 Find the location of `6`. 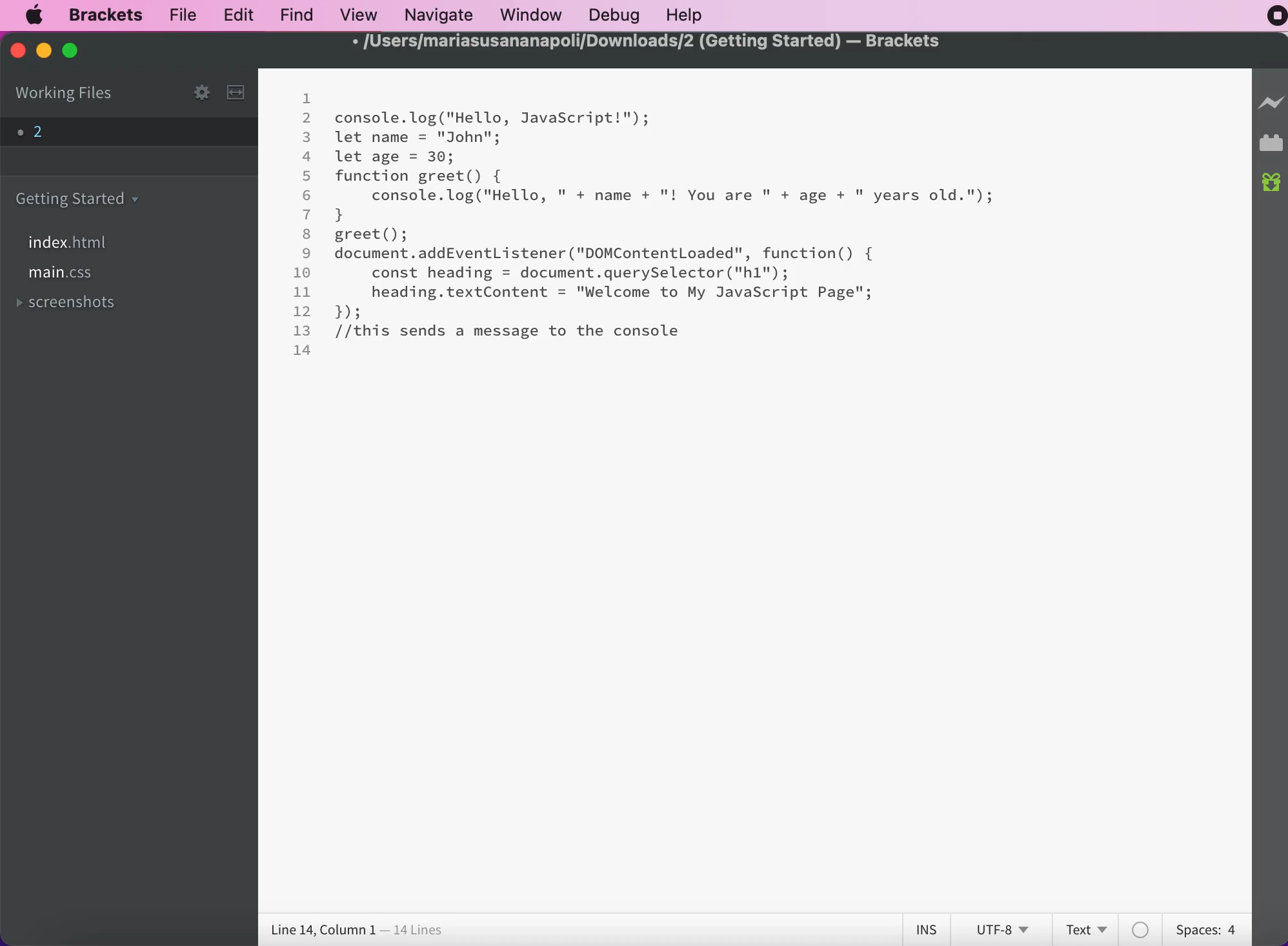

6 is located at coordinates (308, 195).